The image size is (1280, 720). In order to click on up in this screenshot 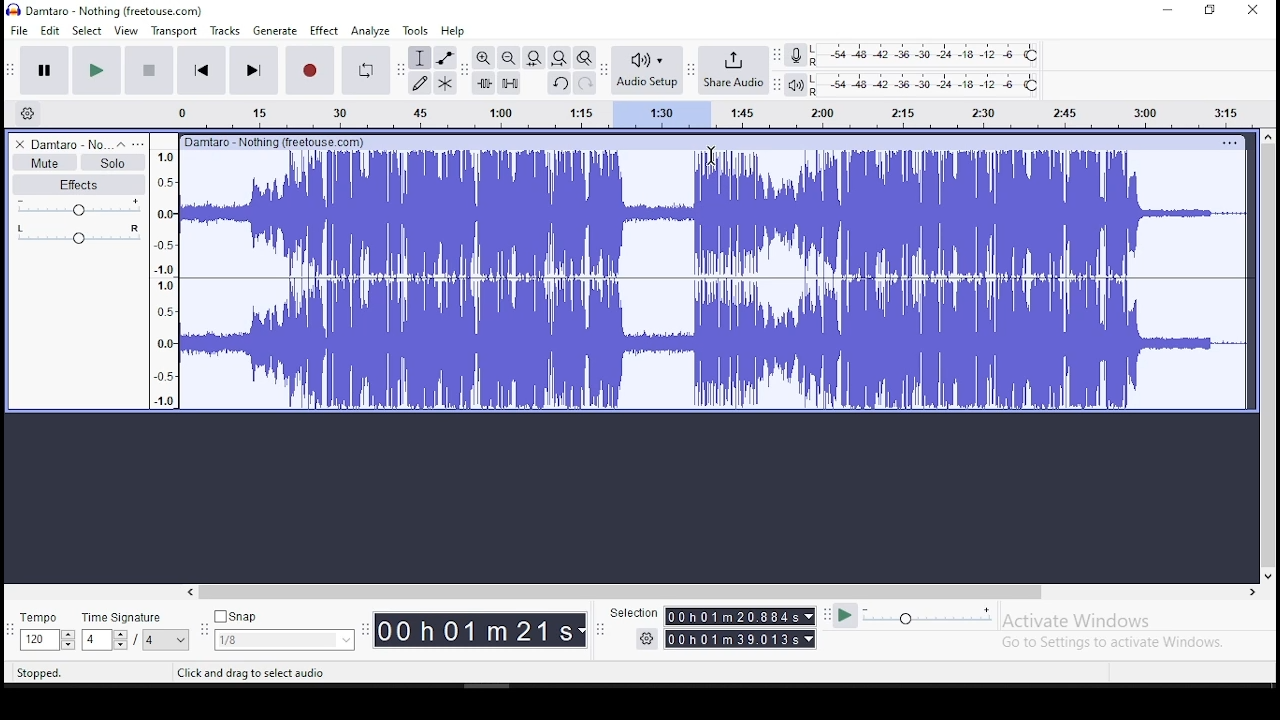, I will do `click(1267, 136)`.